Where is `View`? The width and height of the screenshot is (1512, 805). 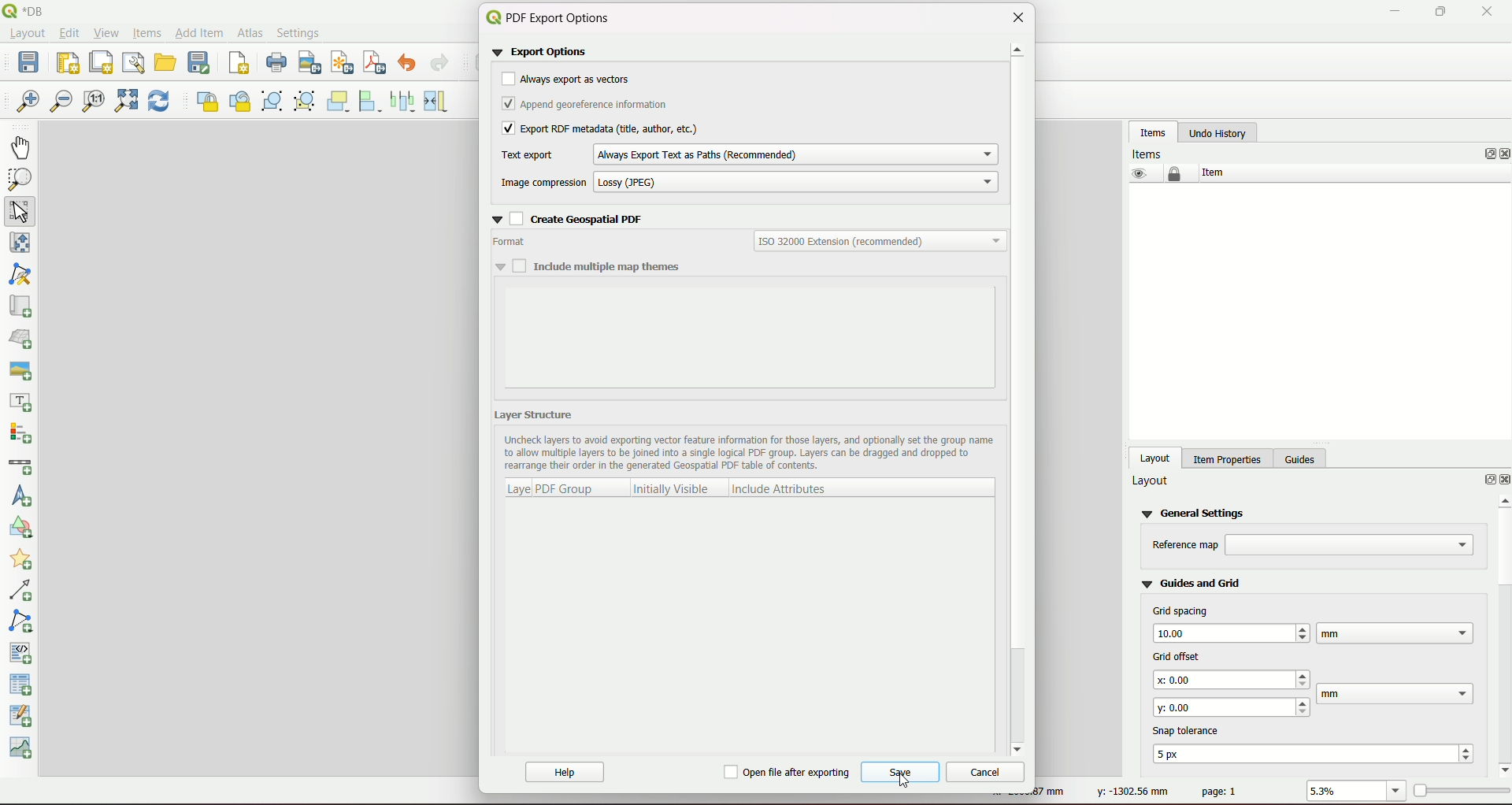 View is located at coordinates (107, 33).